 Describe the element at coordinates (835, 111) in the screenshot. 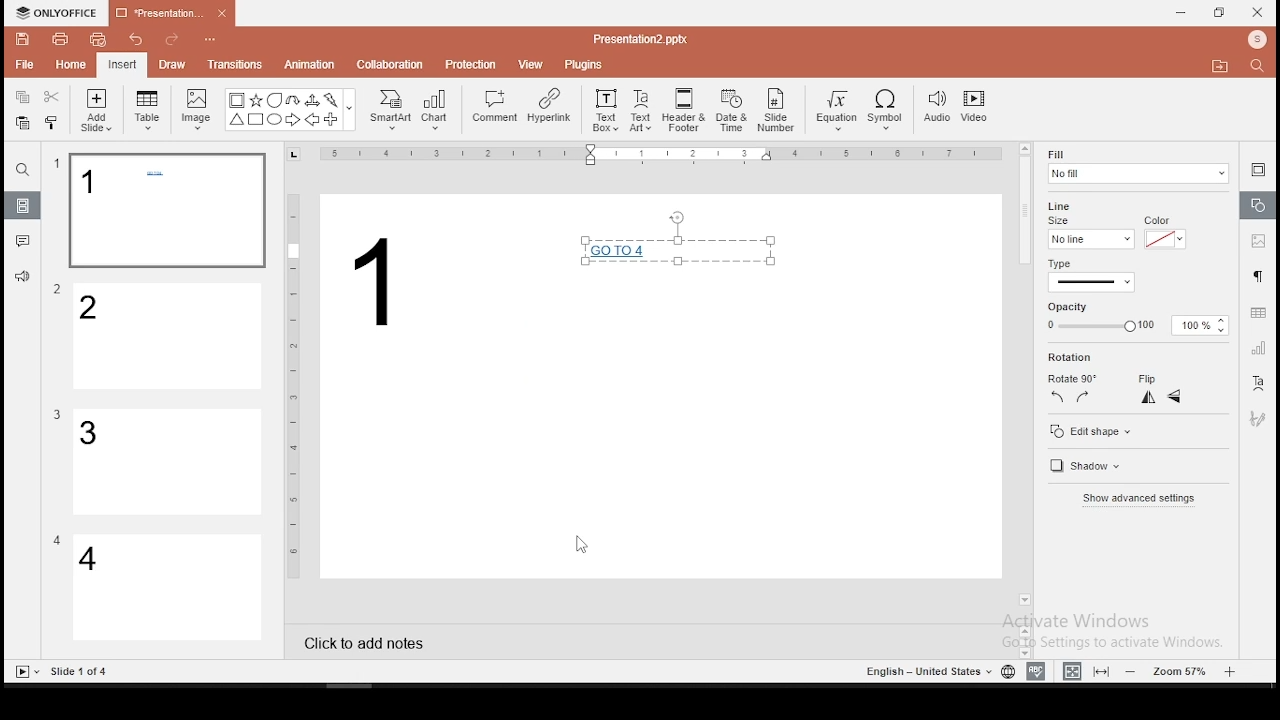

I see `equation` at that location.